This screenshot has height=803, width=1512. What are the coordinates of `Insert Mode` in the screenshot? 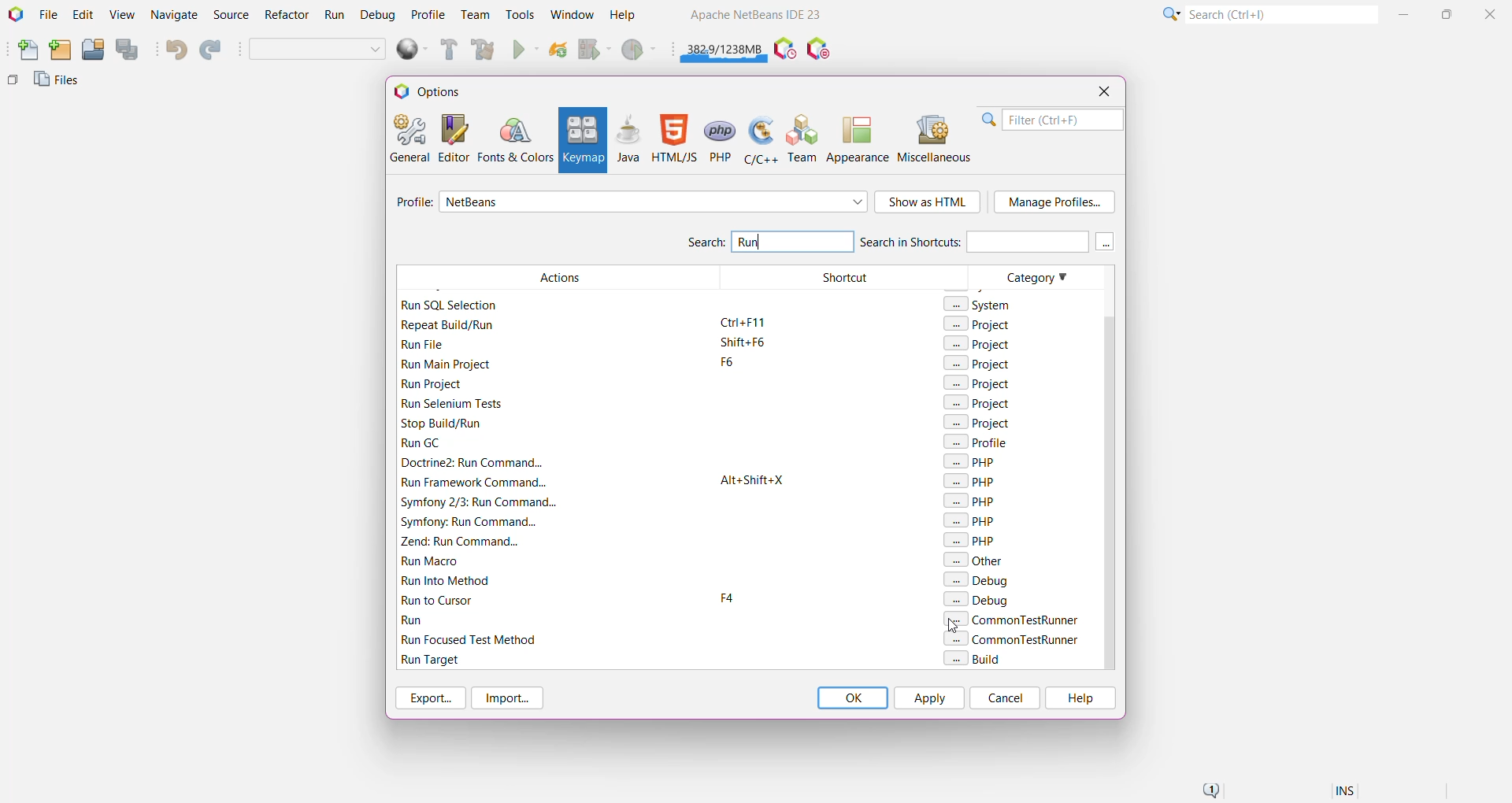 It's located at (1347, 793).